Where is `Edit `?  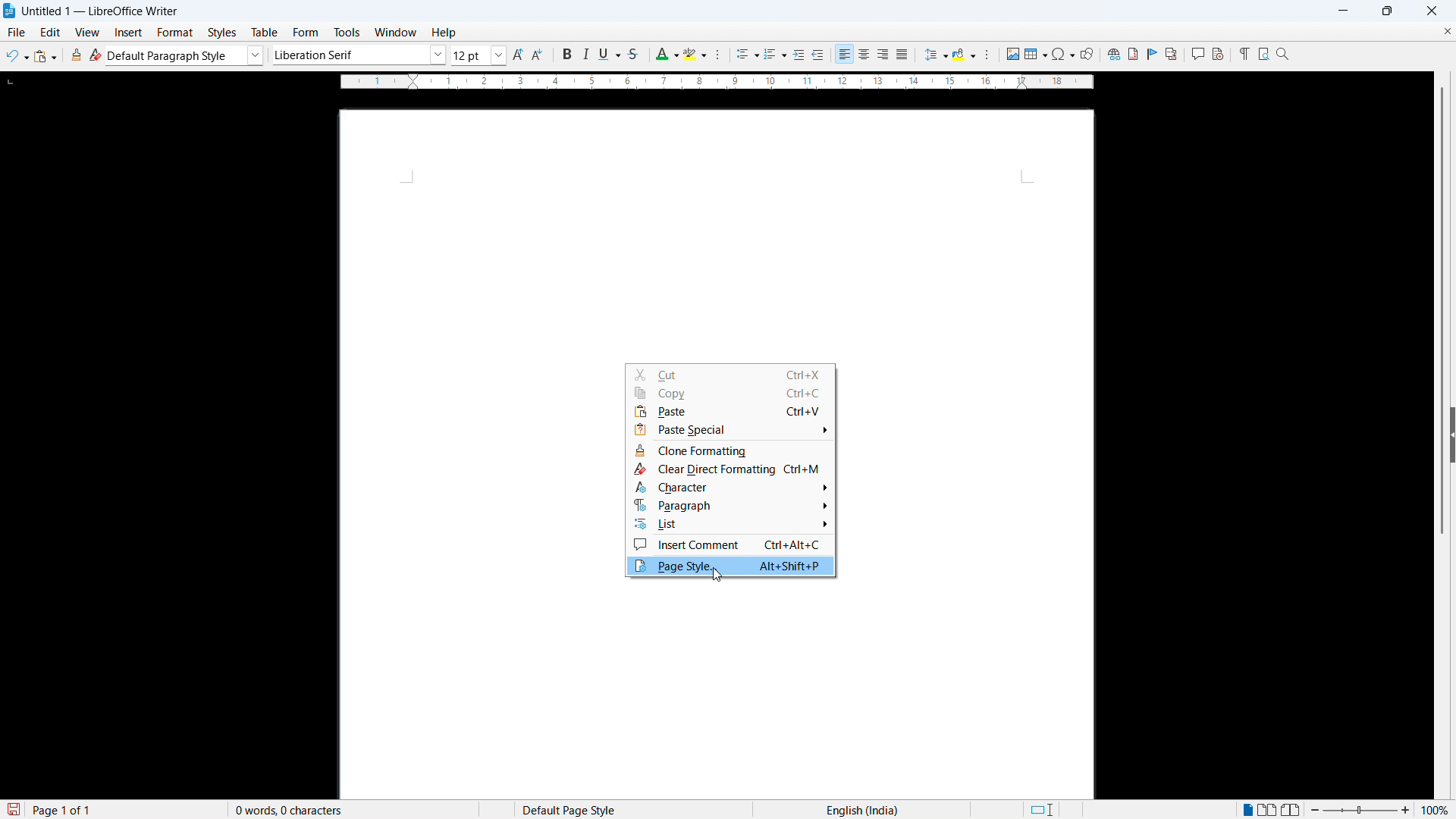 Edit  is located at coordinates (51, 32).